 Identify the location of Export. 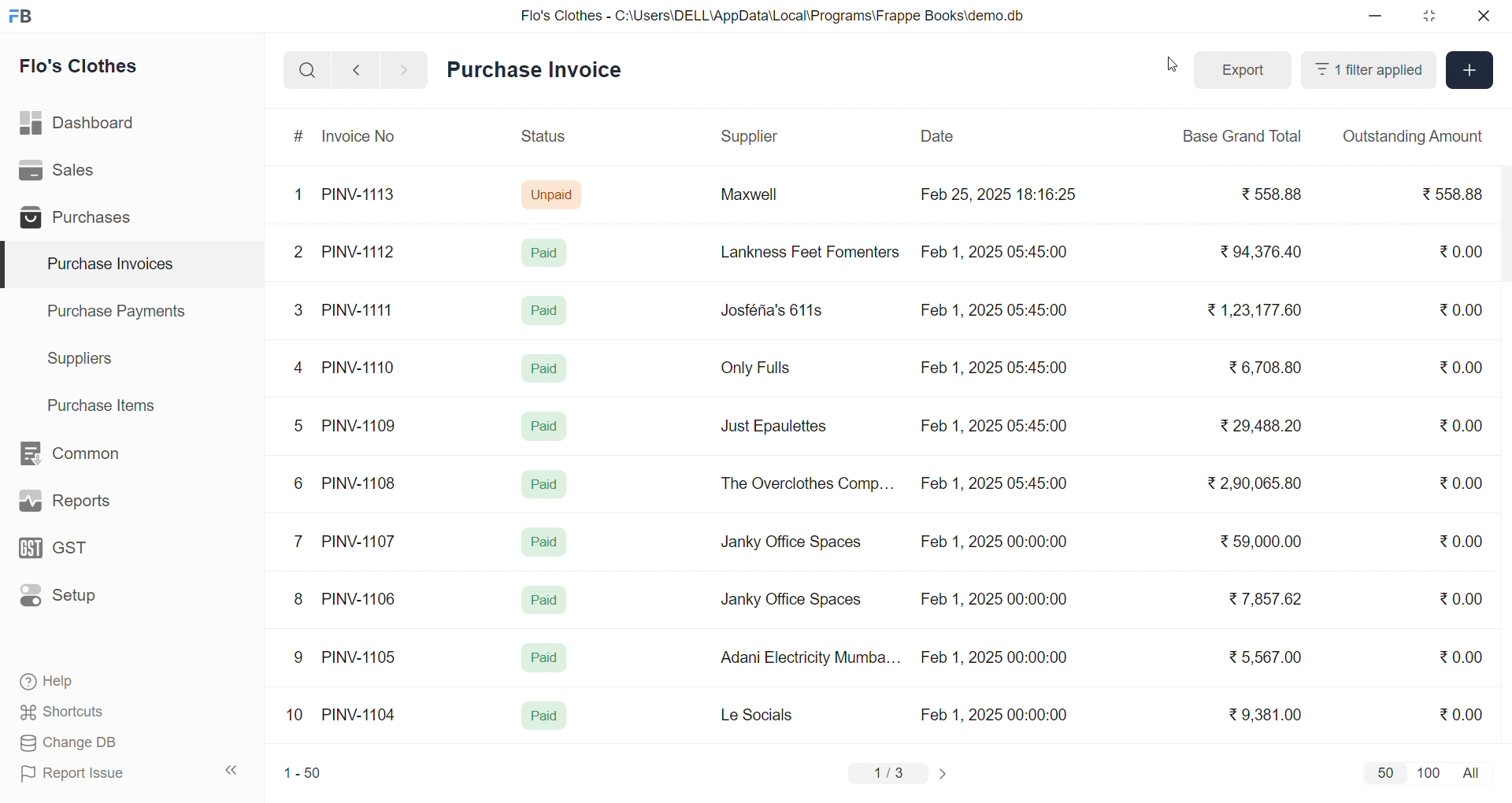
(1243, 71).